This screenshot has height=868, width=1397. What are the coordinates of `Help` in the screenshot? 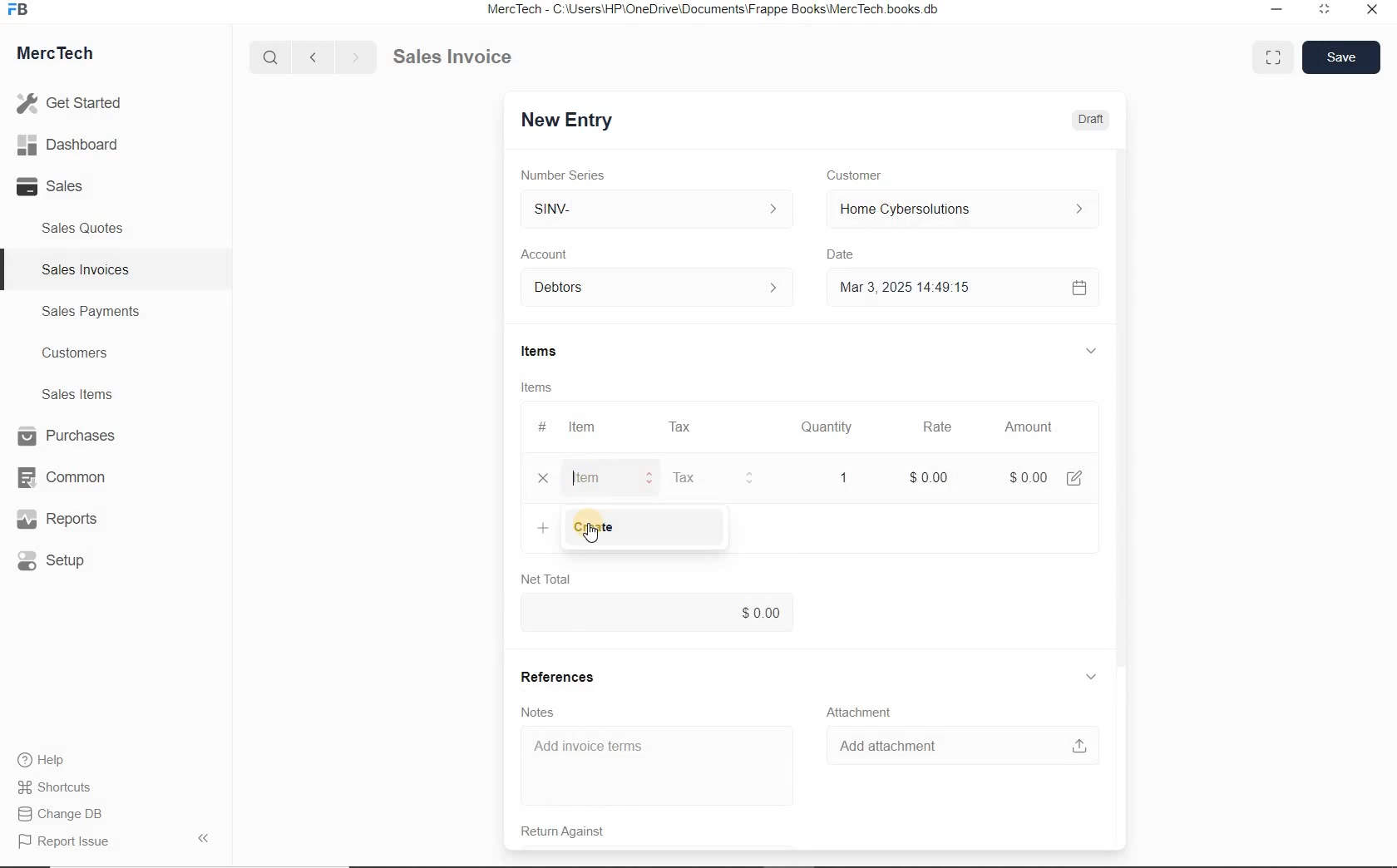 It's located at (50, 760).